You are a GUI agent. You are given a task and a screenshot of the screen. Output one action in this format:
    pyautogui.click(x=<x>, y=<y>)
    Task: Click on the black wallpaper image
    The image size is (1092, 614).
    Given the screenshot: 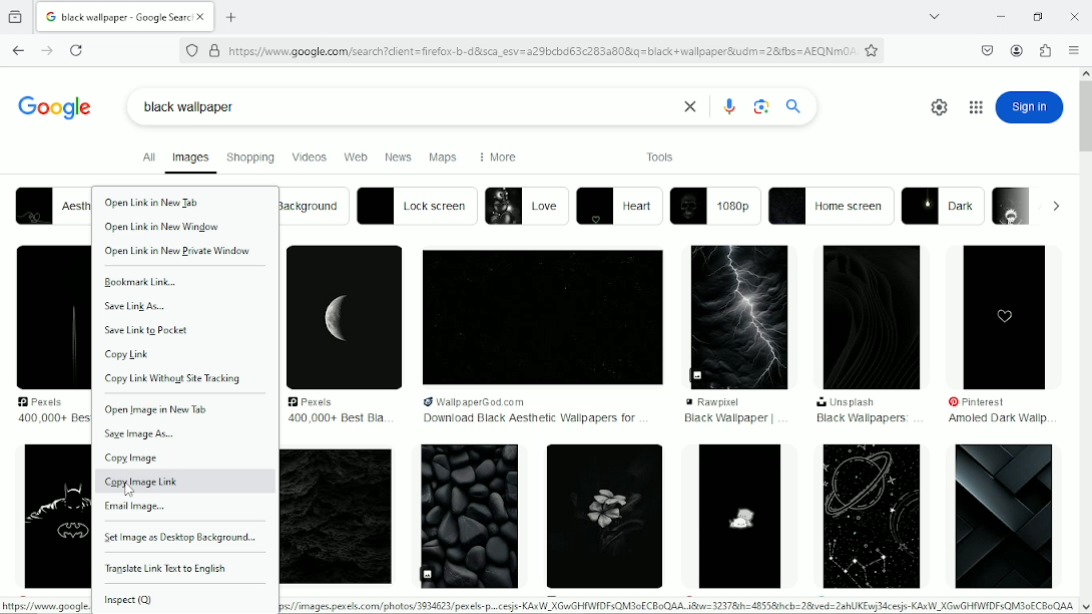 What is the action you would take?
    pyautogui.click(x=738, y=516)
    